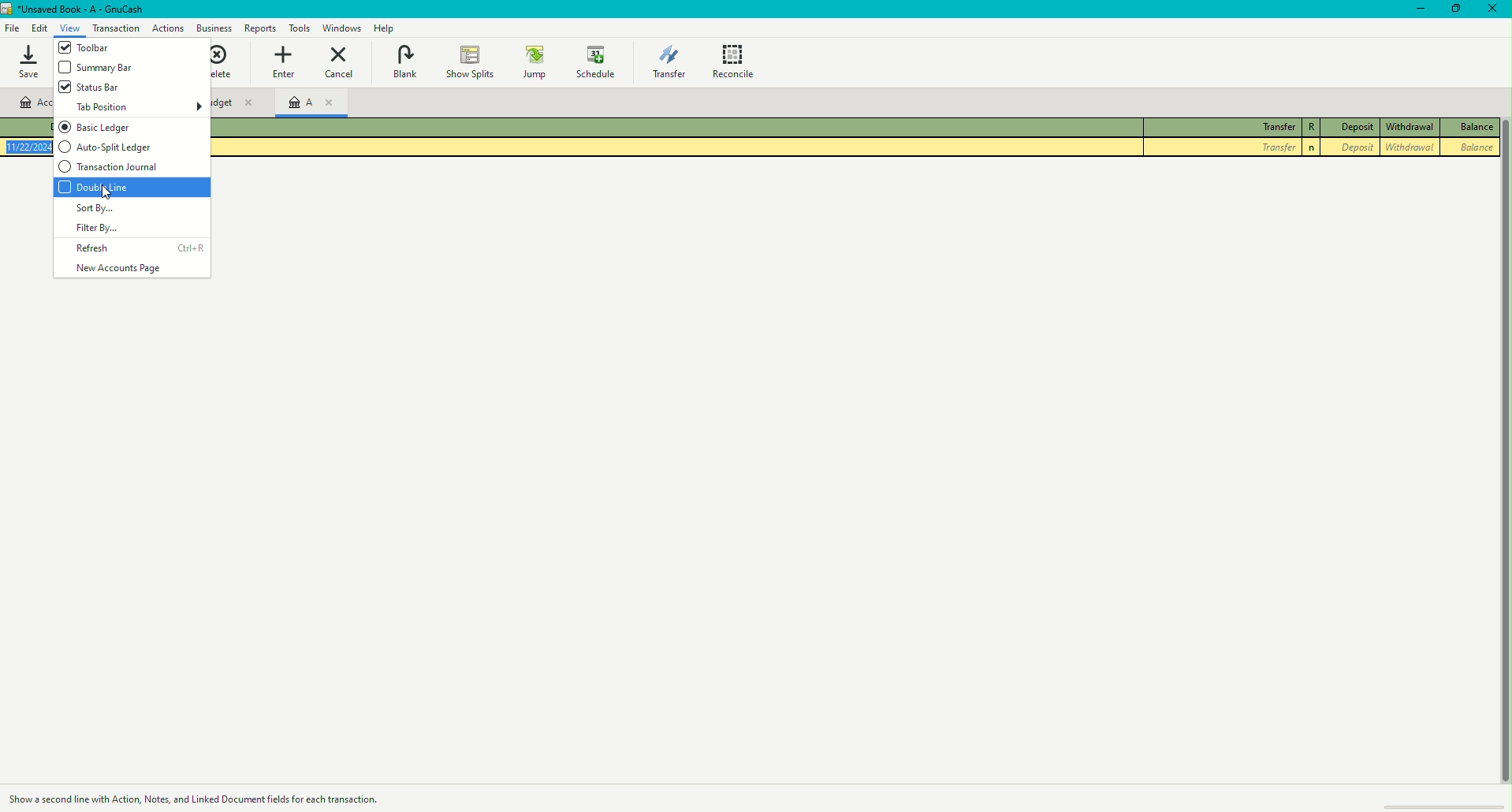 The image size is (1512, 812). What do you see at coordinates (1310, 147) in the screenshot?
I see `n` at bounding box center [1310, 147].